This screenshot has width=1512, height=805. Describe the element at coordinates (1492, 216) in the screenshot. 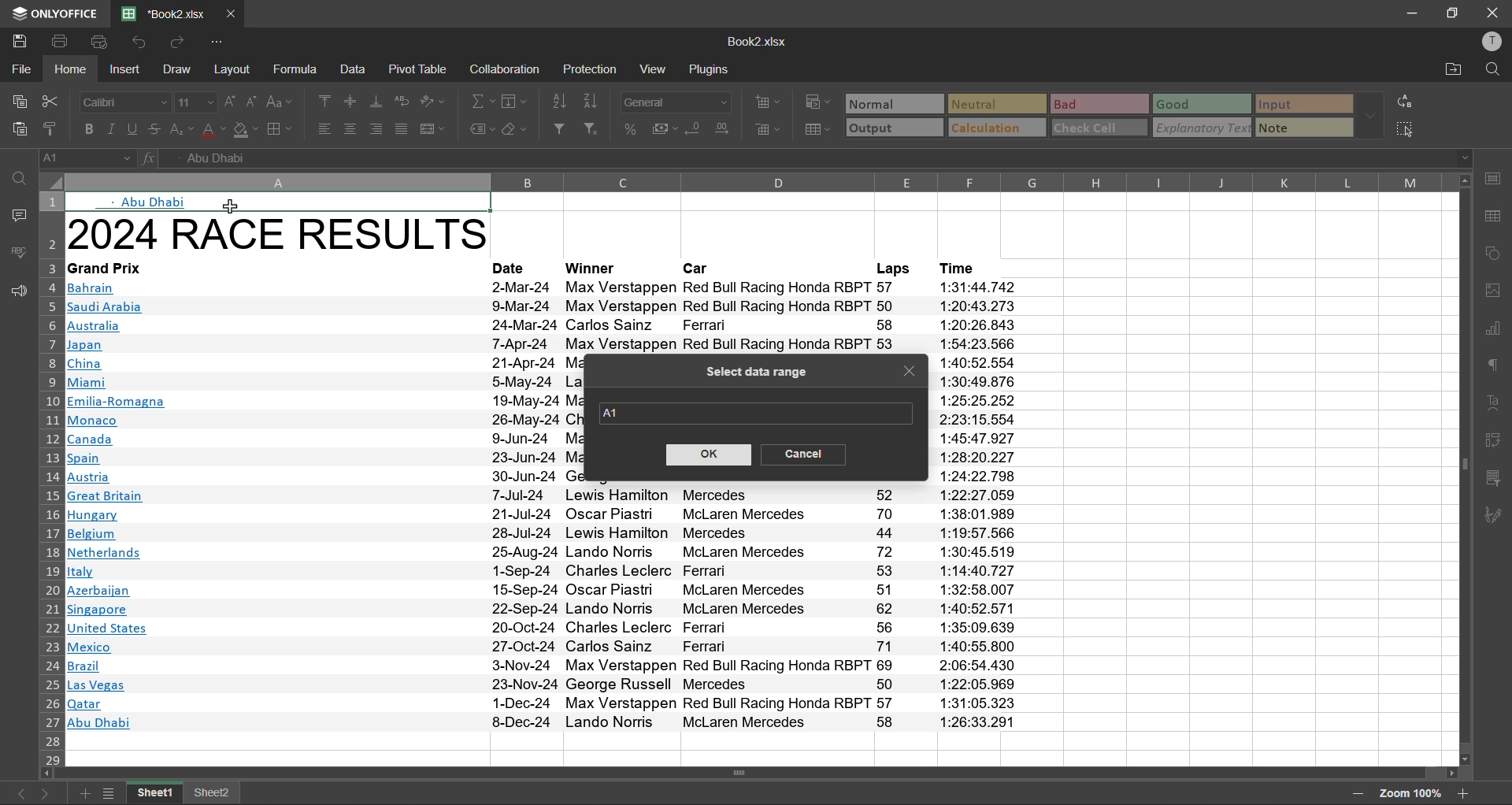

I see `table` at that location.